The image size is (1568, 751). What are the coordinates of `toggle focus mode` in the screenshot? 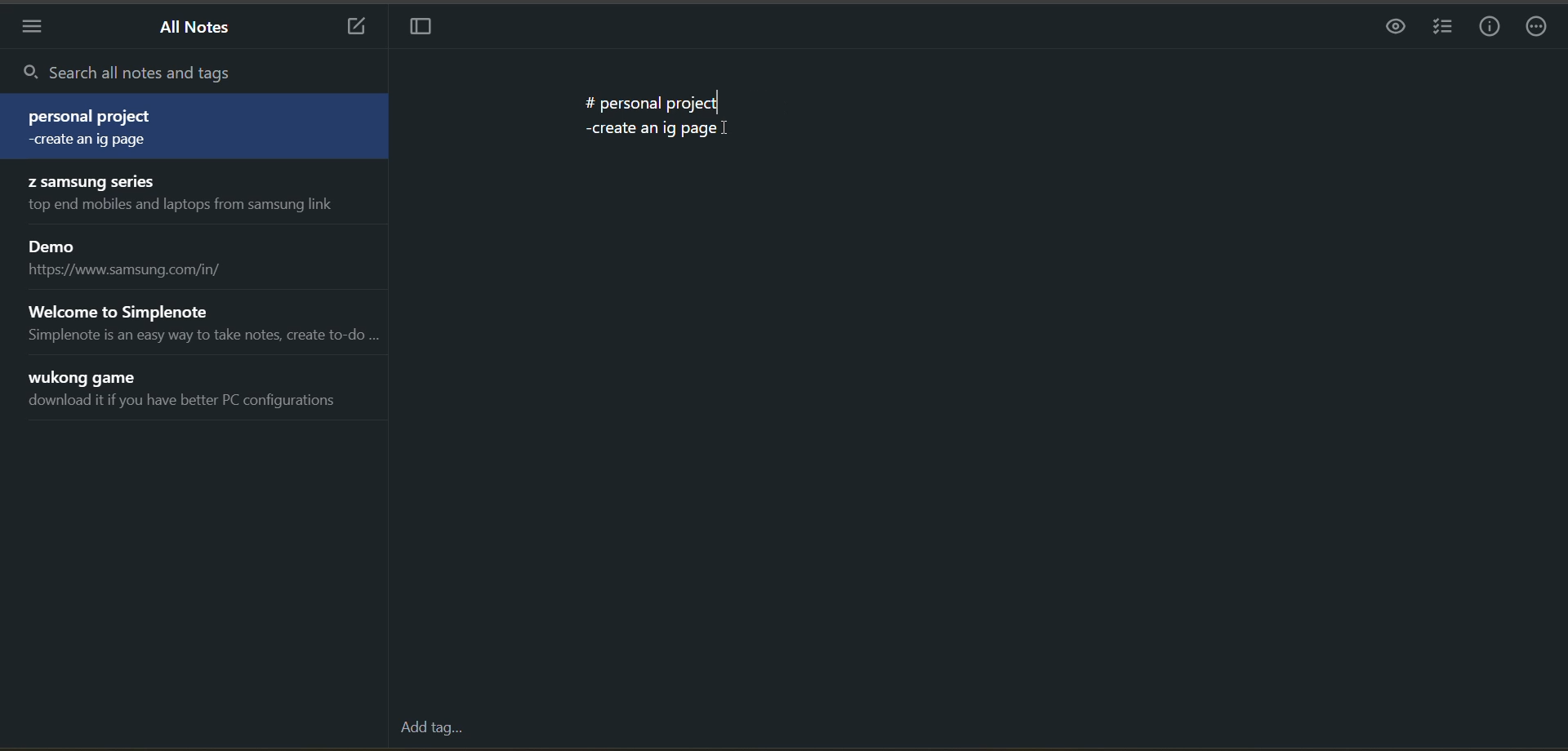 It's located at (422, 29).